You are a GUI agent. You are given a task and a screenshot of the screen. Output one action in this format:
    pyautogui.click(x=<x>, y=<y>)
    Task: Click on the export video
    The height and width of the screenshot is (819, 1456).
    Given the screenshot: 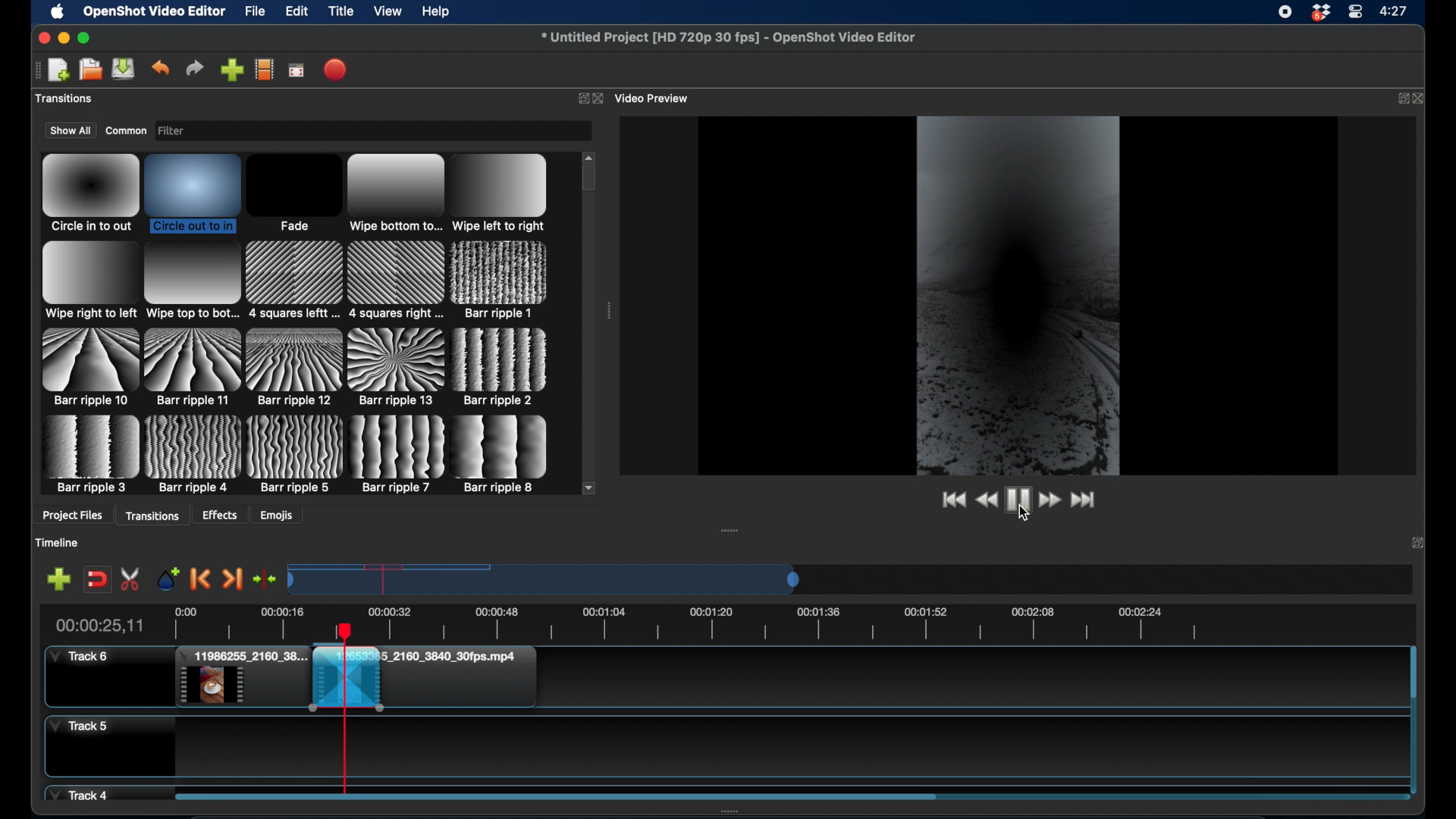 What is the action you would take?
    pyautogui.click(x=336, y=69)
    